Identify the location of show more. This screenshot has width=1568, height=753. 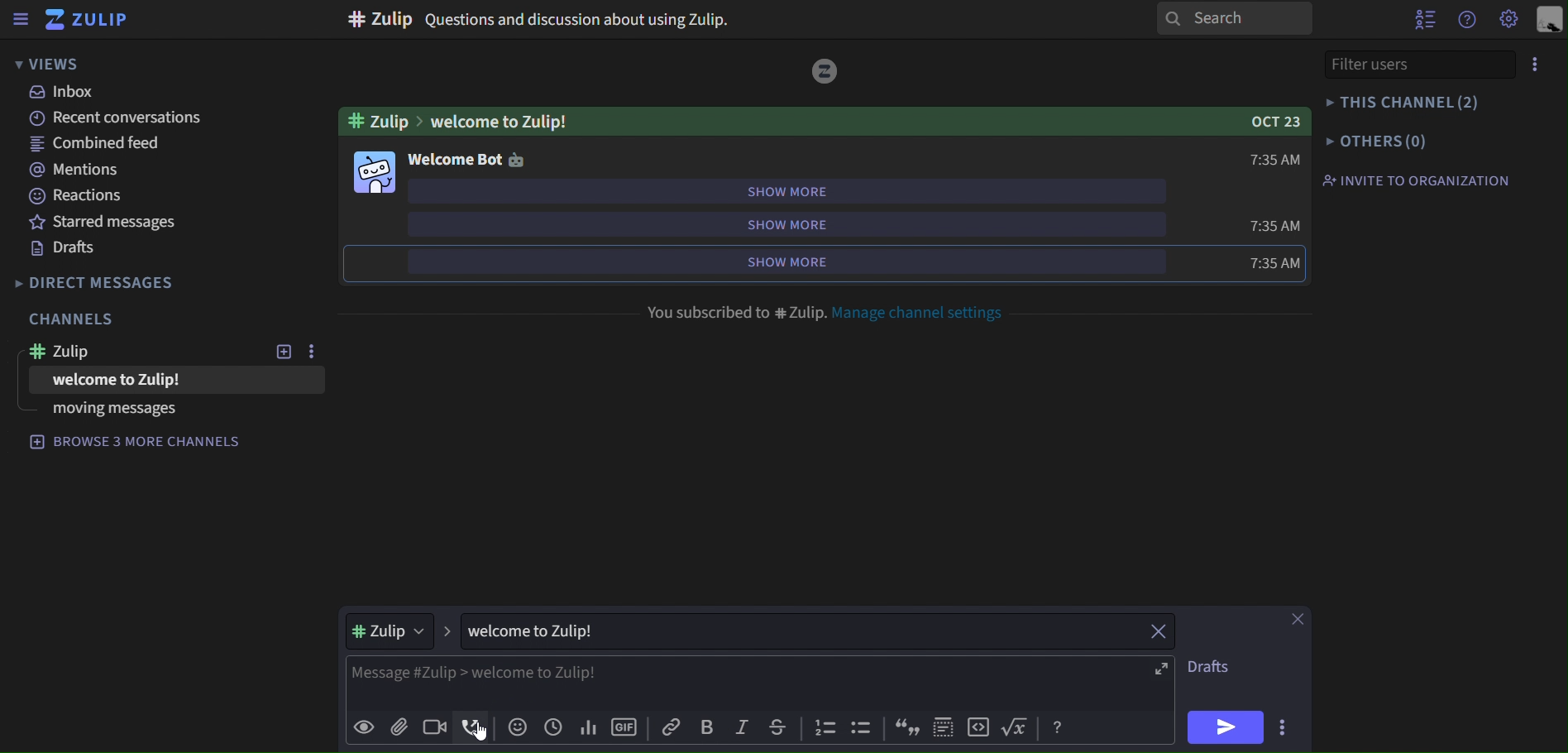
(825, 191).